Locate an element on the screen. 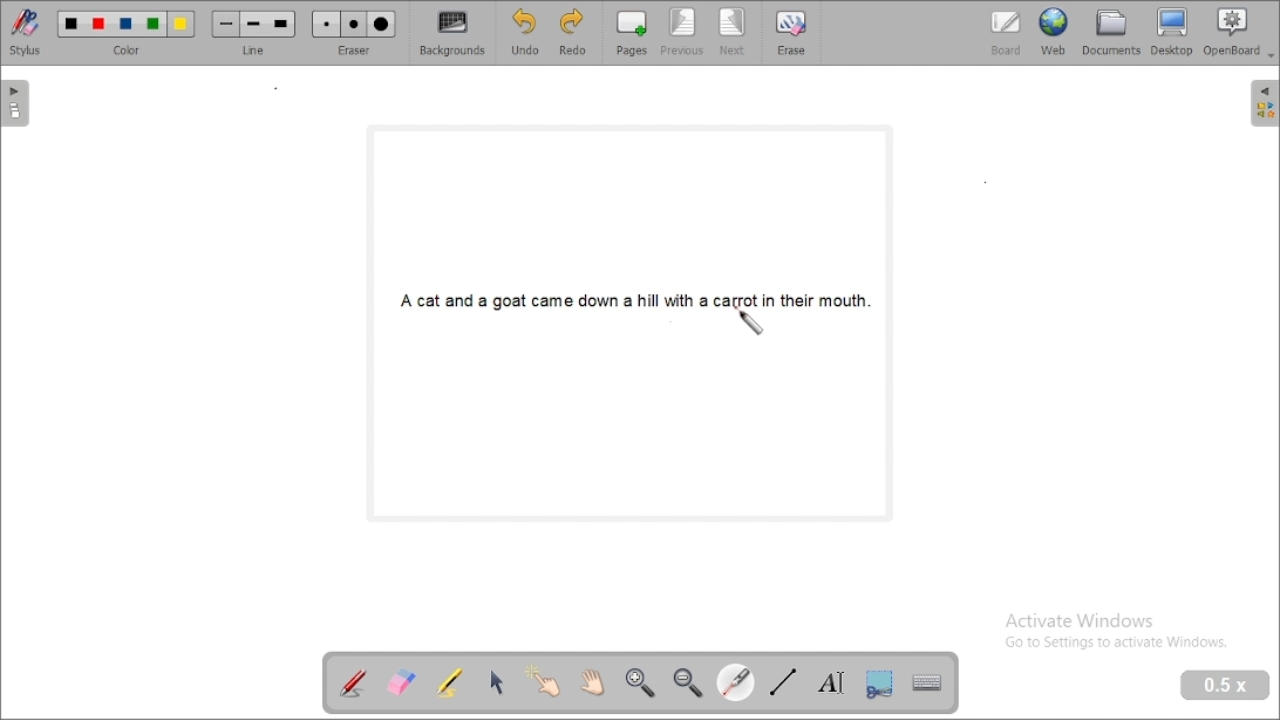 The width and height of the screenshot is (1280, 720). eraser is located at coordinates (353, 33).